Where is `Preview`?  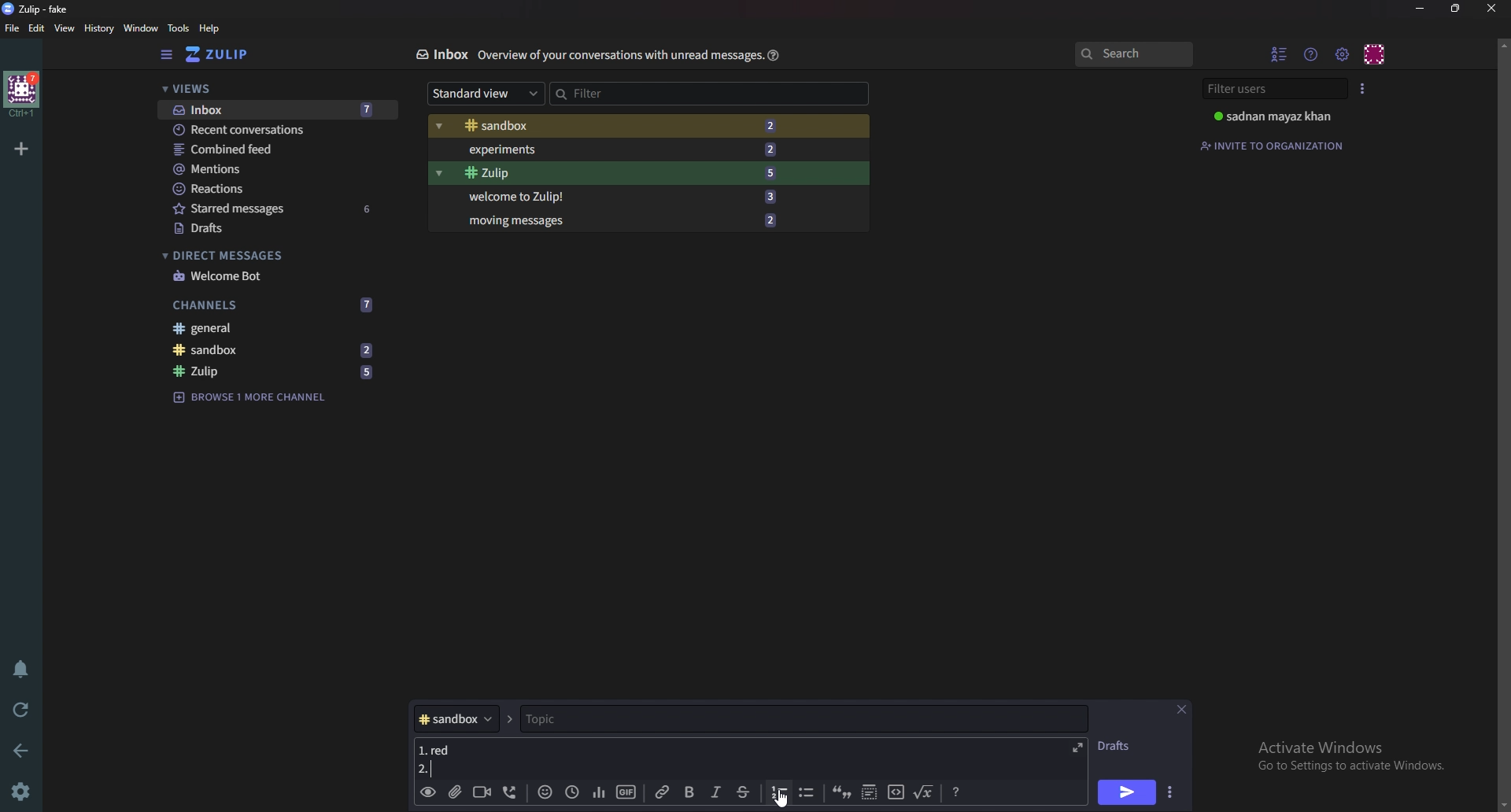 Preview is located at coordinates (428, 792).